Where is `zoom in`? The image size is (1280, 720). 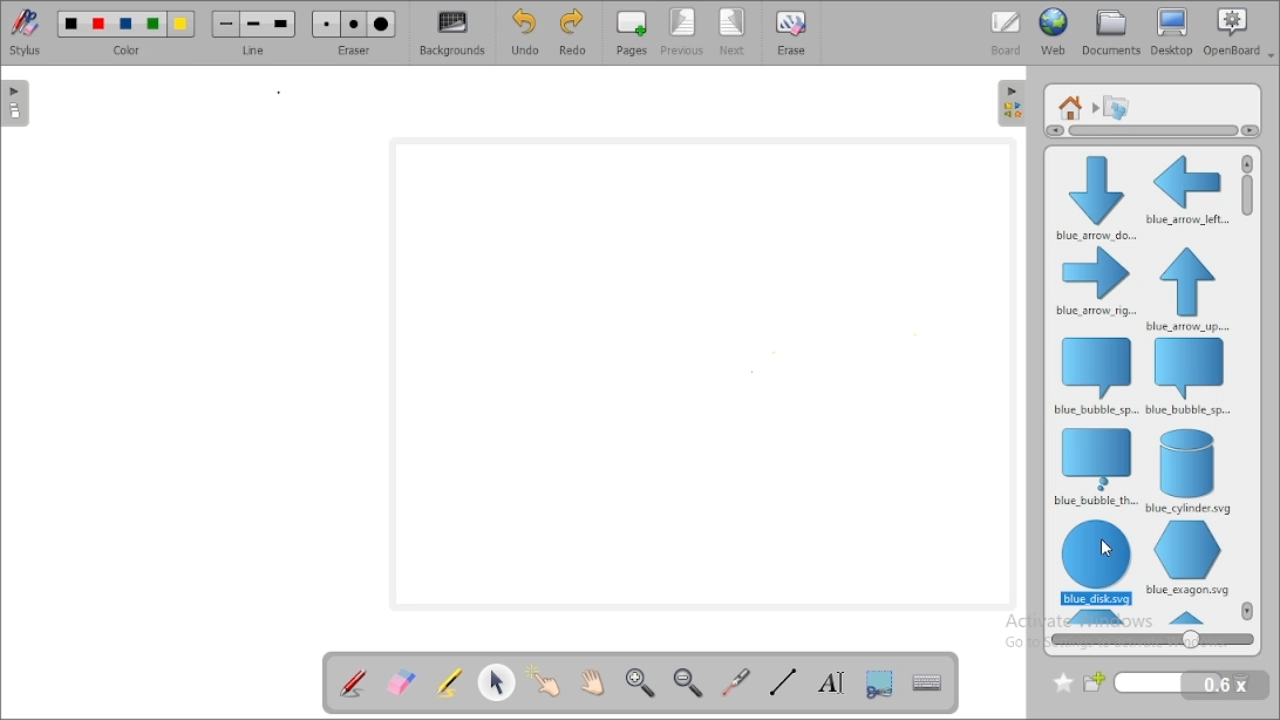
zoom in is located at coordinates (641, 683).